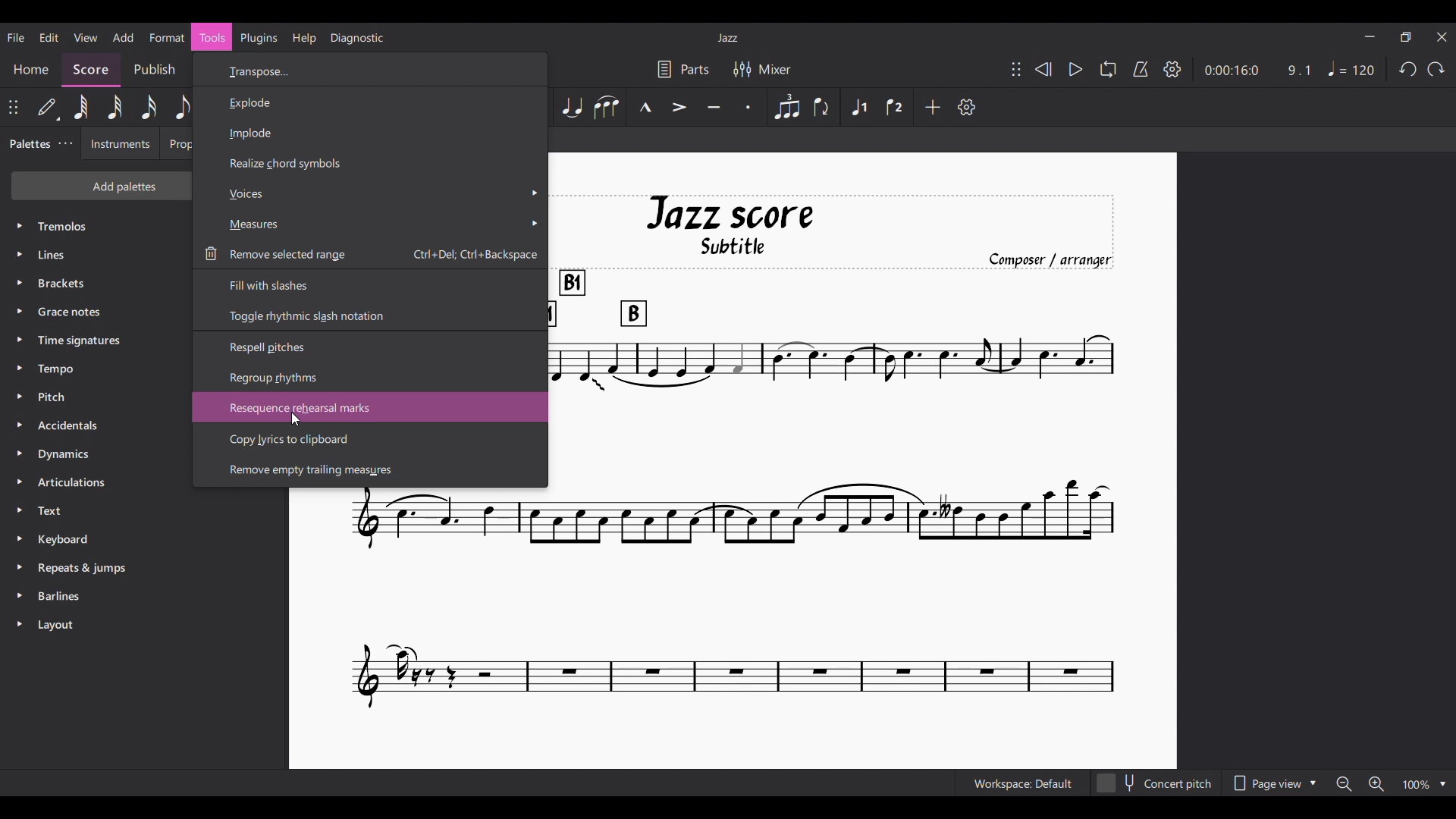 This screenshot has width=1456, height=819. What do you see at coordinates (370, 224) in the screenshot?
I see `Measures options ` at bounding box center [370, 224].